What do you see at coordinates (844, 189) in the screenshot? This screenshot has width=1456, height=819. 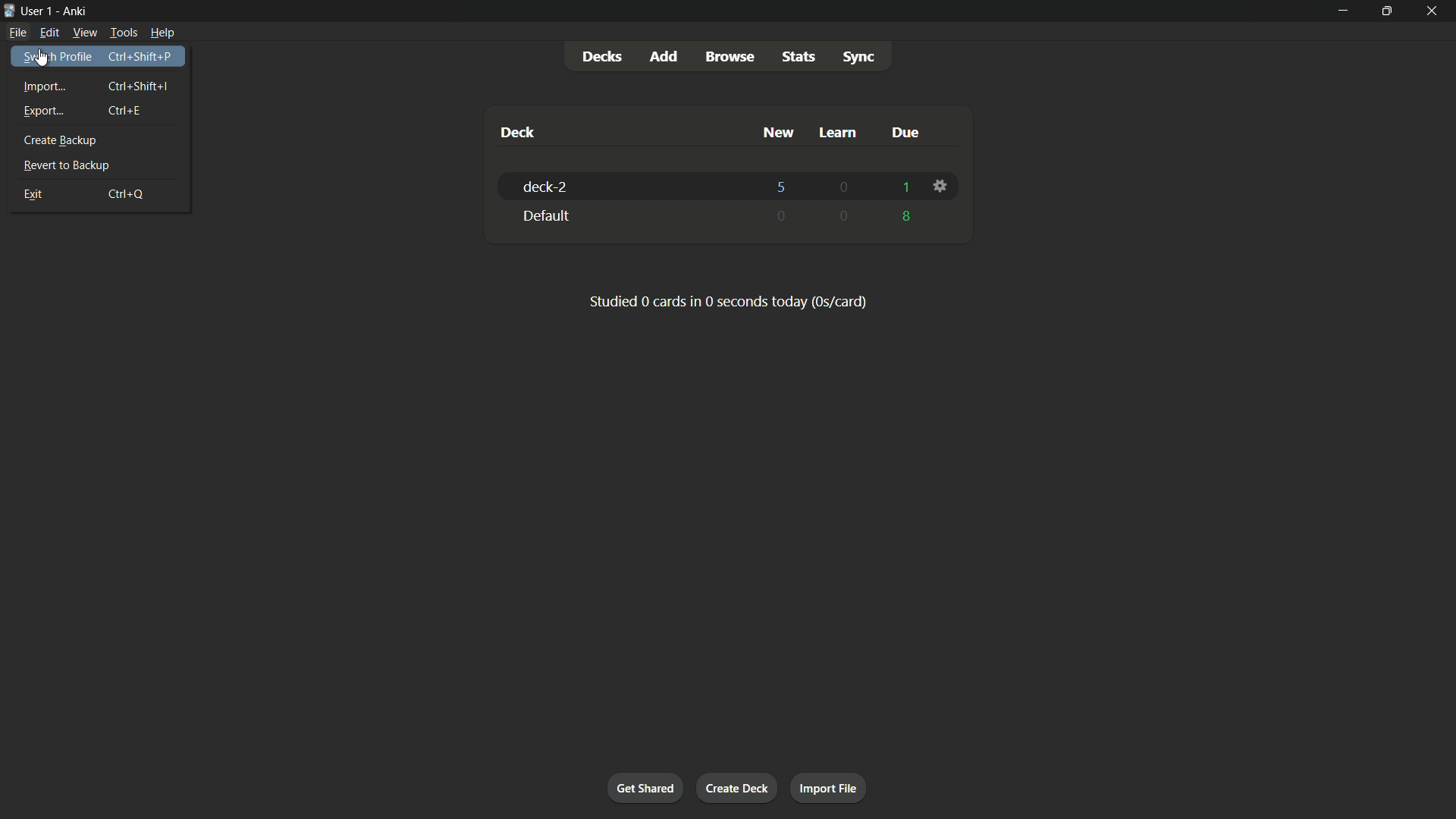 I see `0` at bounding box center [844, 189].